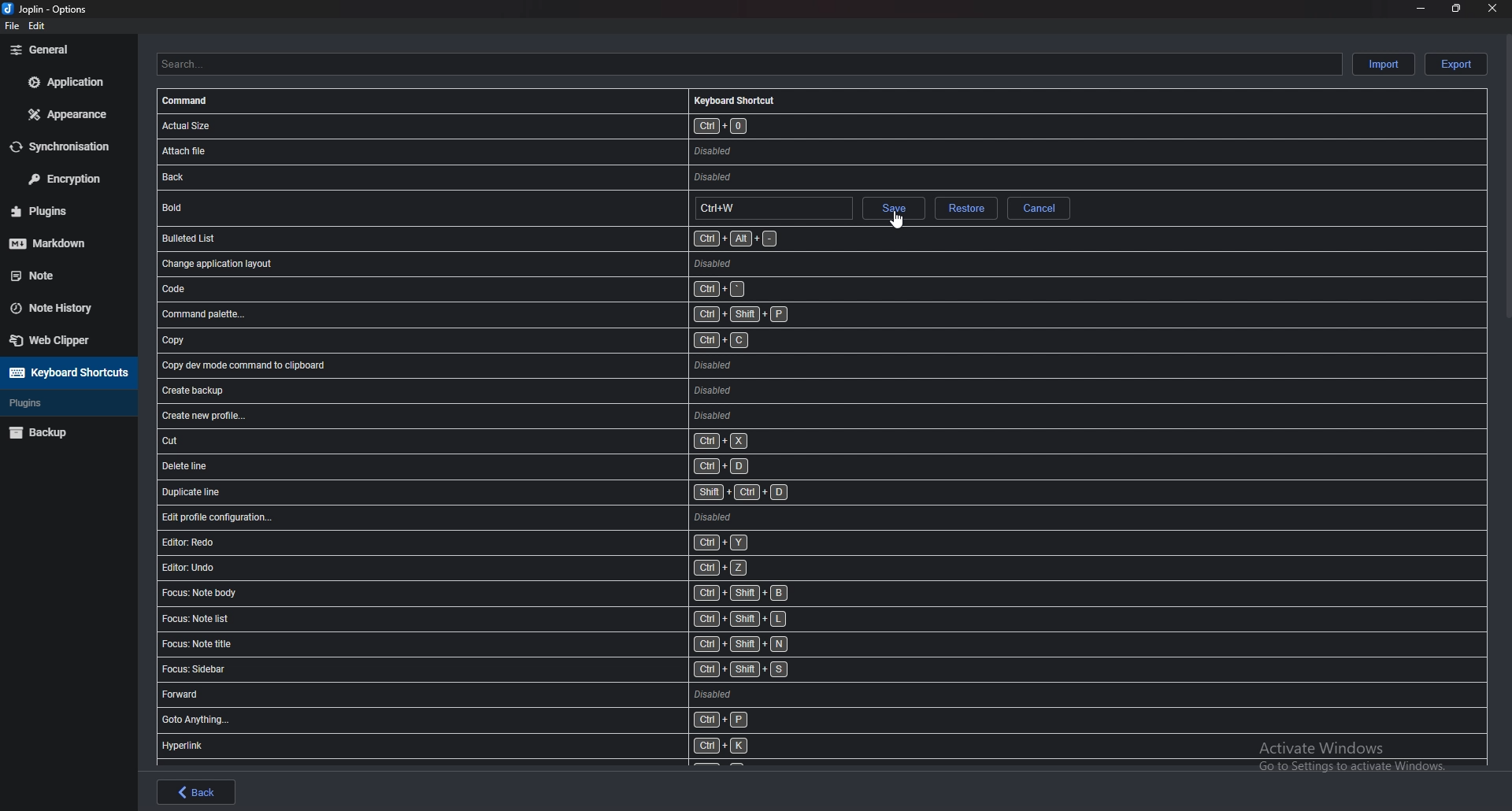 This screenshot has width=1512, height=811. Describe the element at coordinates (525, 415) in the screenshot. I see `shortcut` at that location.